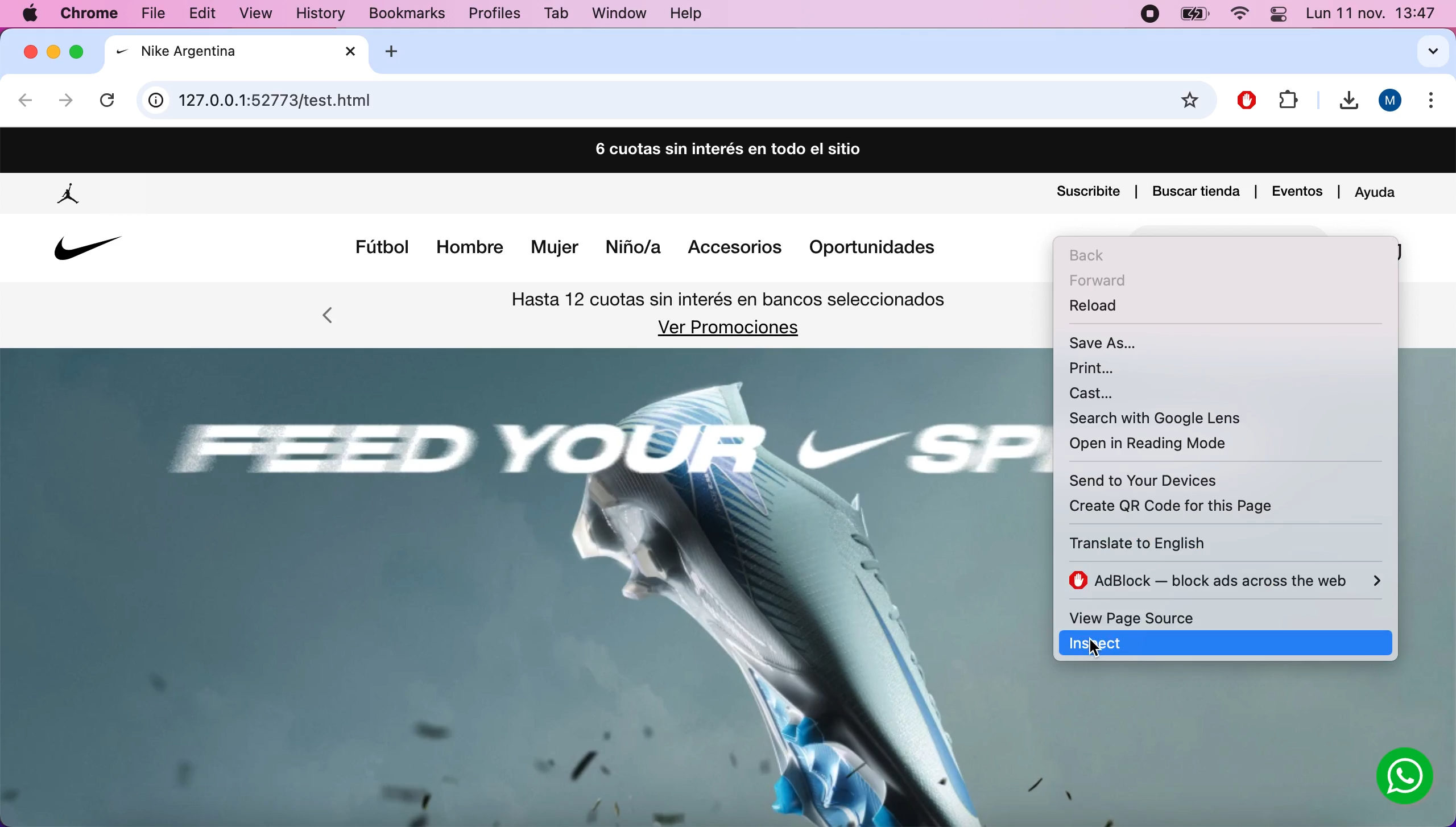 The width and height of the screenshot is (1456, 827). I want to click on information, so click(156, 101).